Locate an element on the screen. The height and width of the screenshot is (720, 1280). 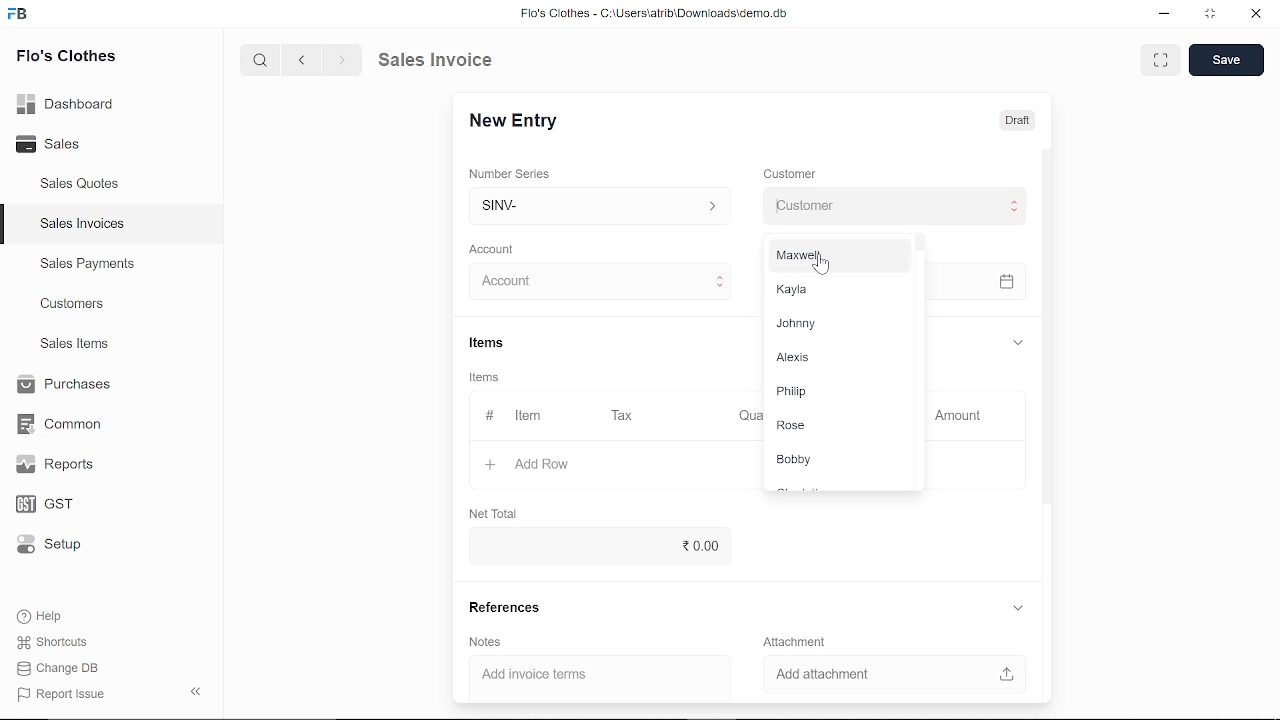
expand is located at coordinates (1162, 60).